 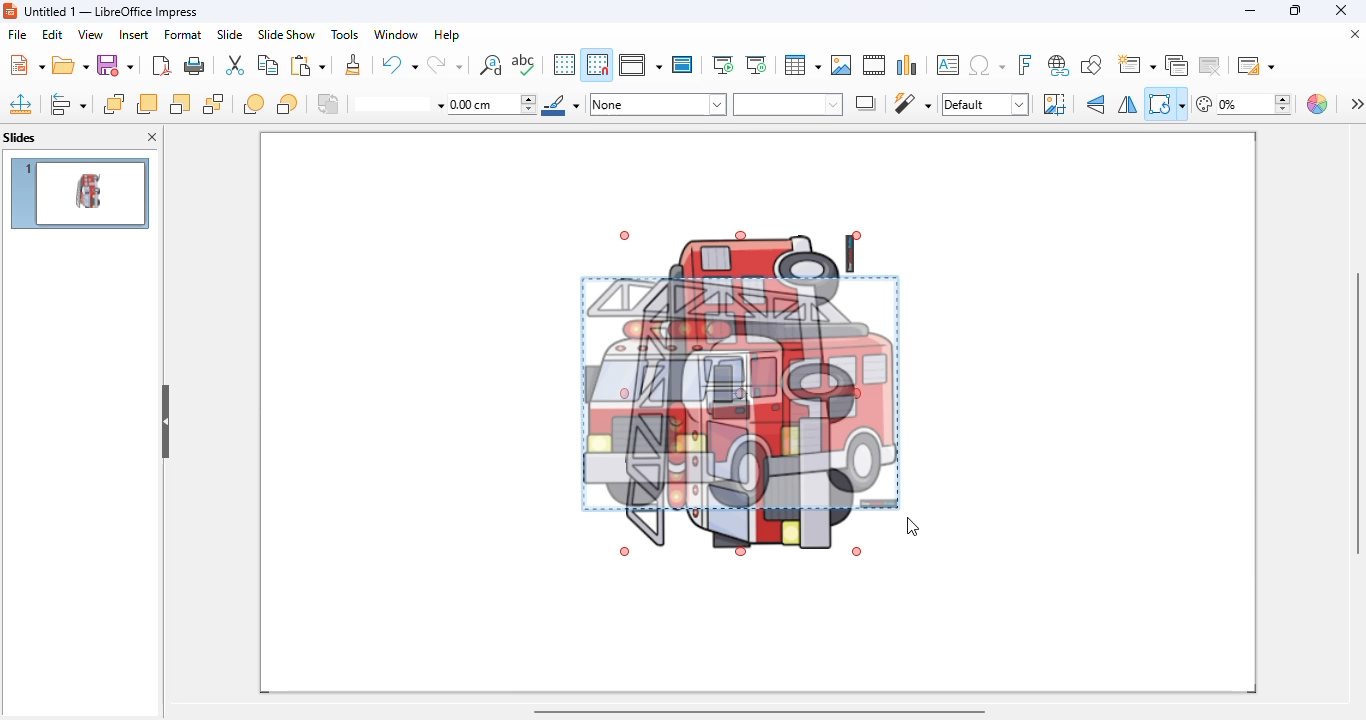 What do you see at coordinates (724, 65) in the screenshot?
I see `start from first slide` at bounding box center [724, 65].